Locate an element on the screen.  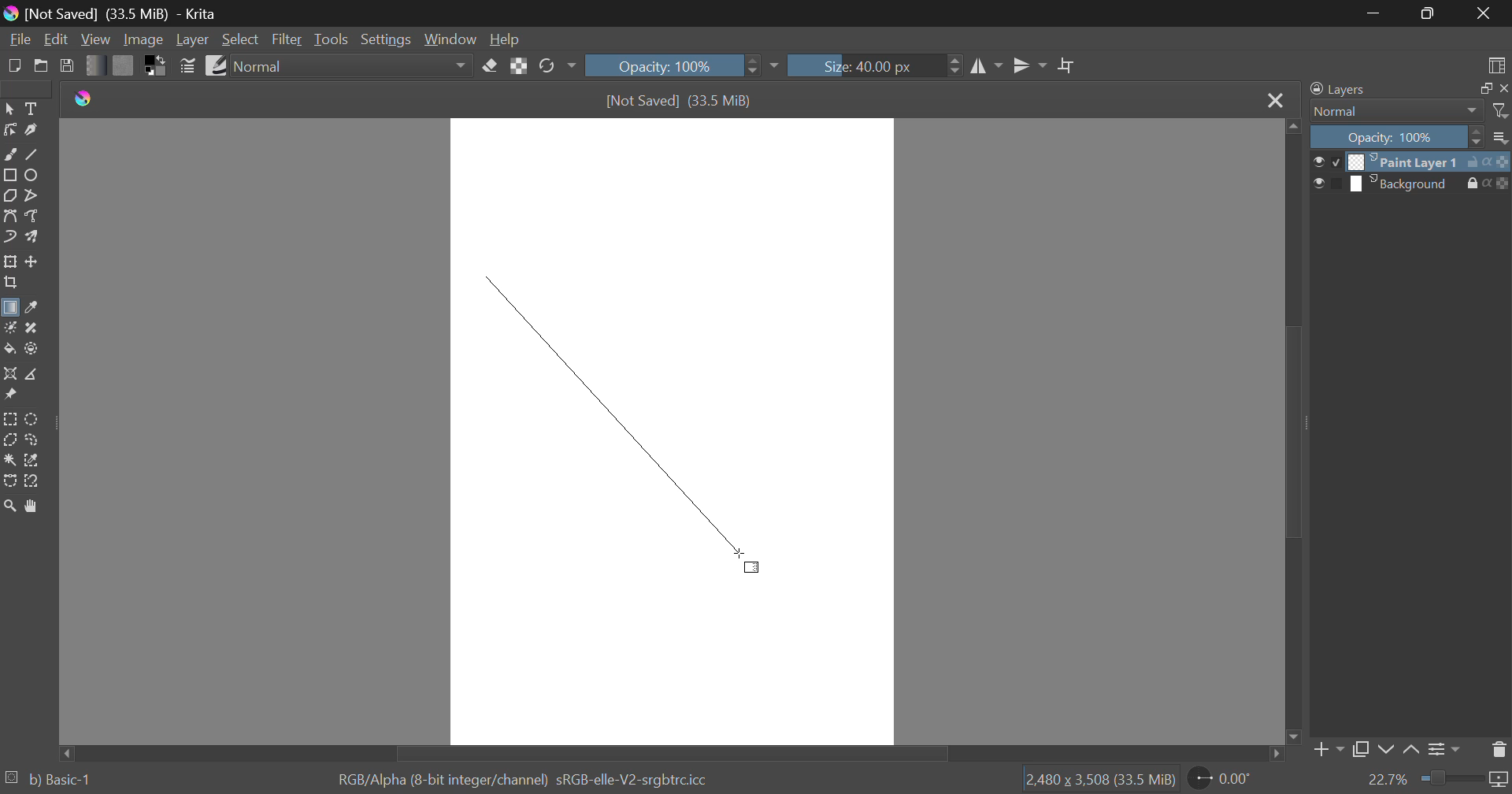
Restore Down is located at coordinates (1375, 13).